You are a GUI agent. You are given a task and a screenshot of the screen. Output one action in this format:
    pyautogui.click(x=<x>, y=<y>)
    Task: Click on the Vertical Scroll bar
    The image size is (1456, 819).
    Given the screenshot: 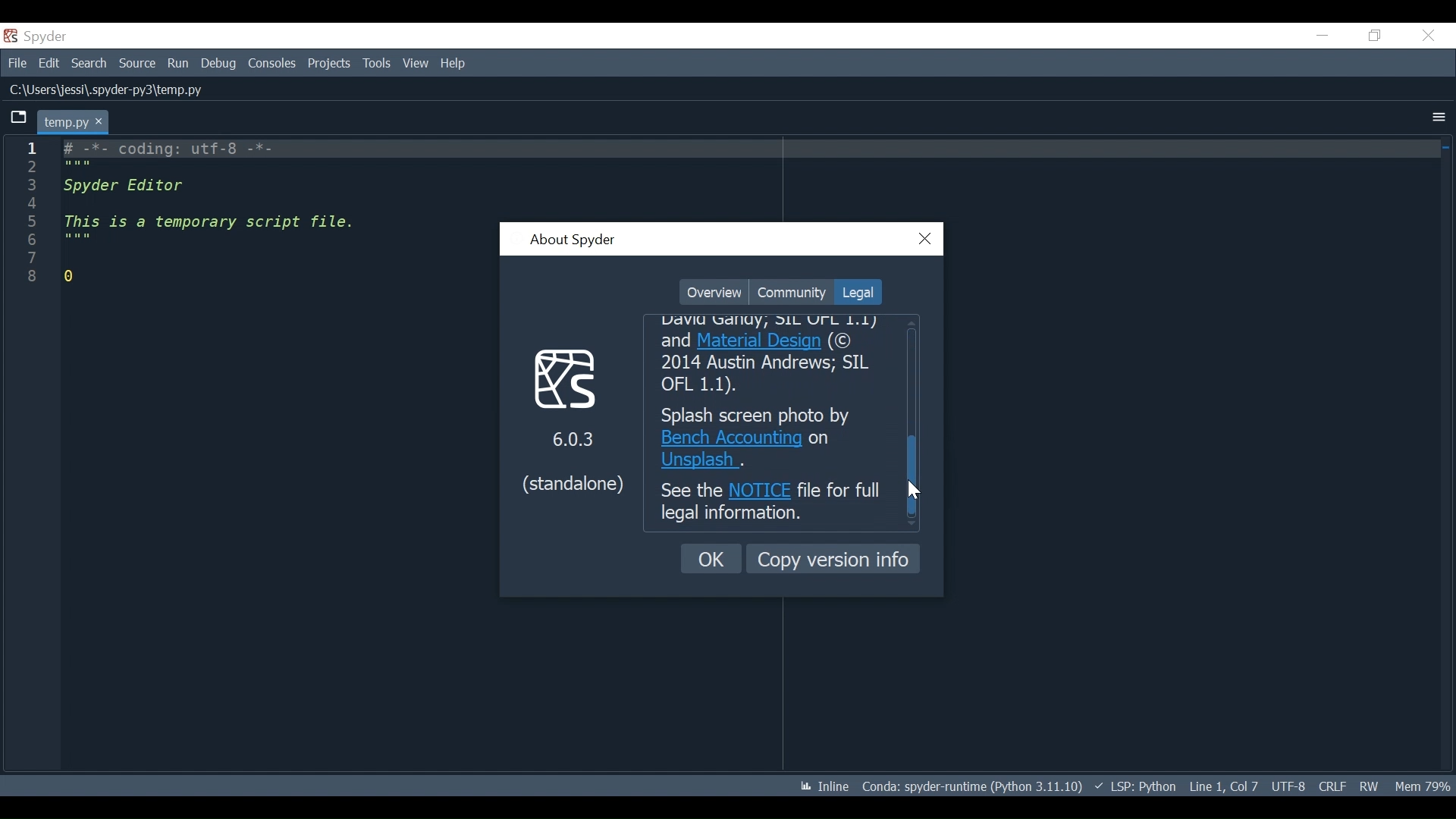 What is the action you would take?
    pyautogui.click(x=915, y=475)
    